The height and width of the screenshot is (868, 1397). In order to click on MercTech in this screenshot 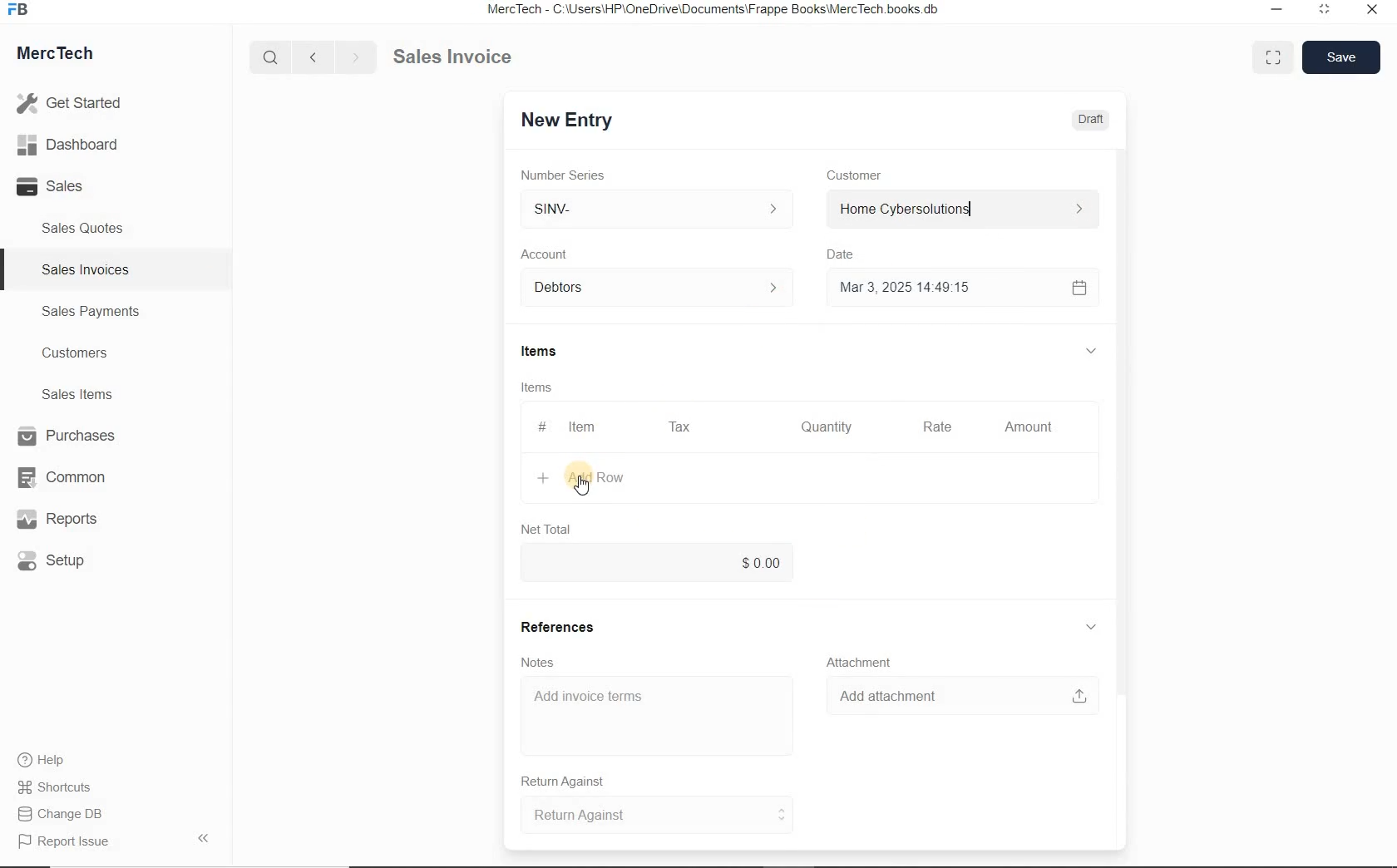, I will do `click(63, 57)`.